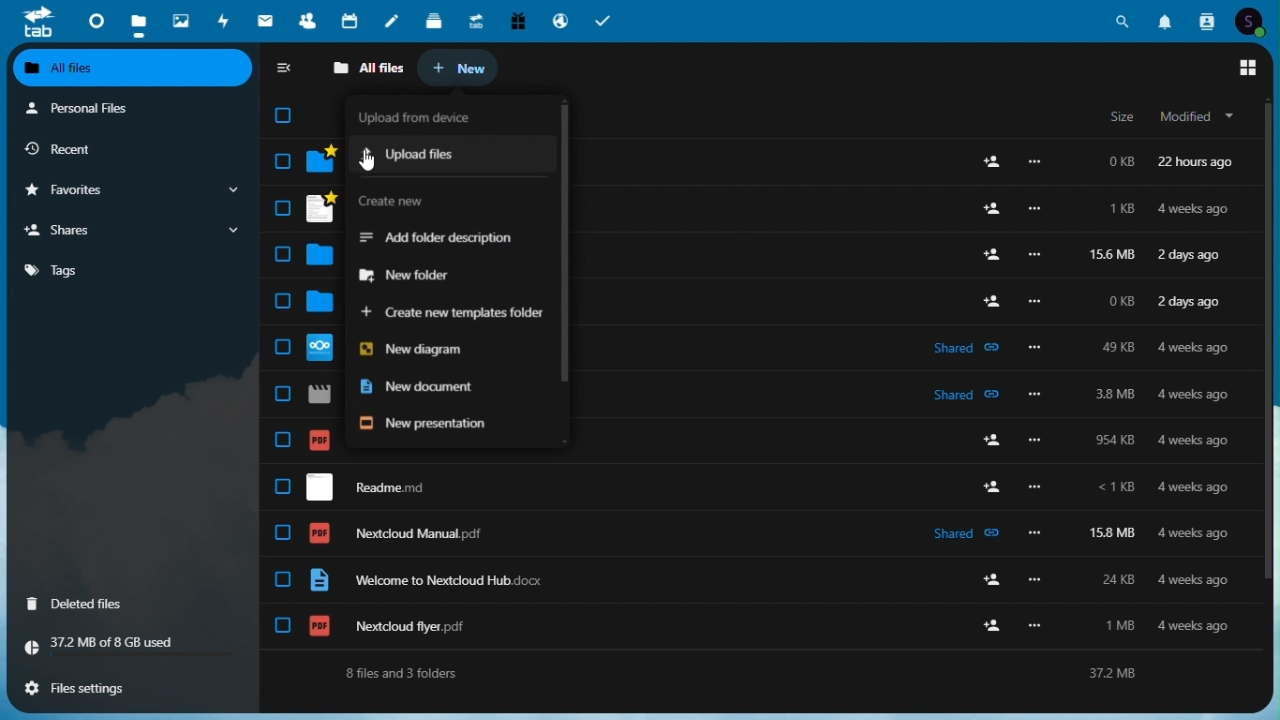 The width and height of the screenshot is (1280, 720). Describe the element at coordinates (394, 20) in the screenshot. I see `notes` at that location.